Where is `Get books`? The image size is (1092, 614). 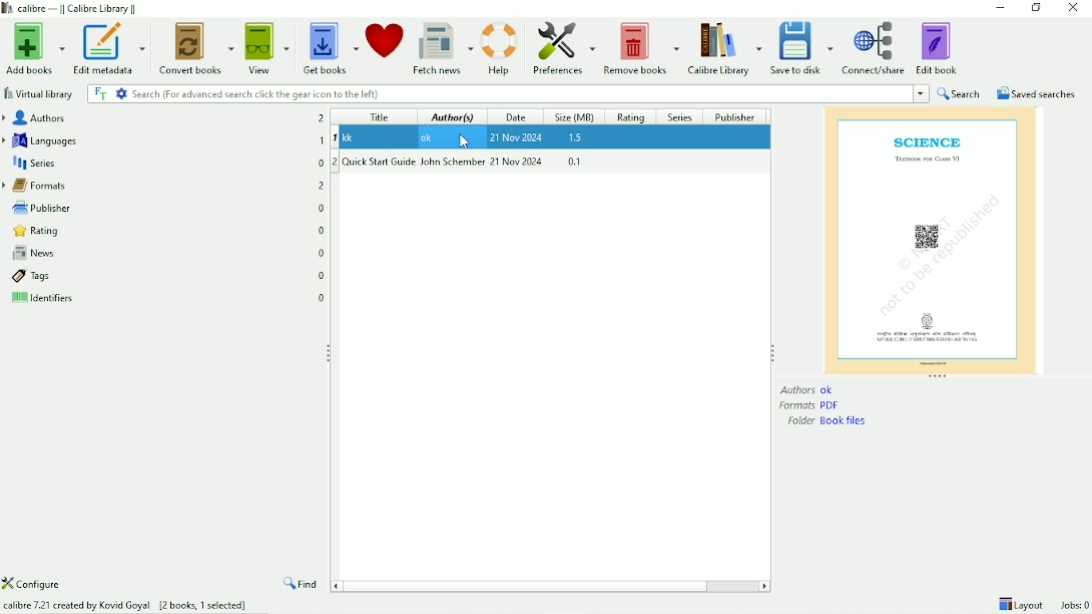 Get books is located at coordinates (329, 49).